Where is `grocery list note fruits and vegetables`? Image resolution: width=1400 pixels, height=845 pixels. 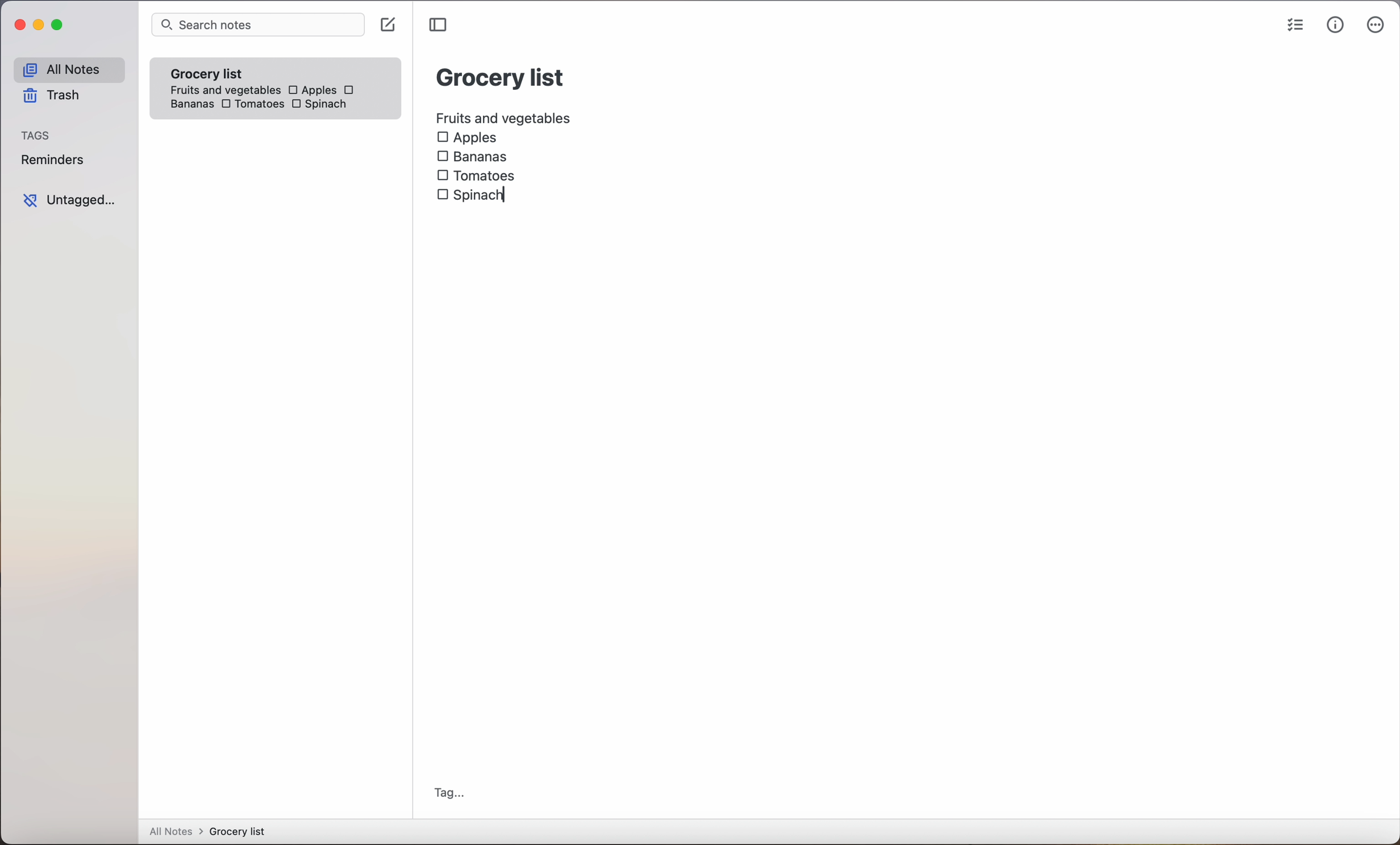
grocery list note fruits and vegetables is located at coordinates (221, 77).